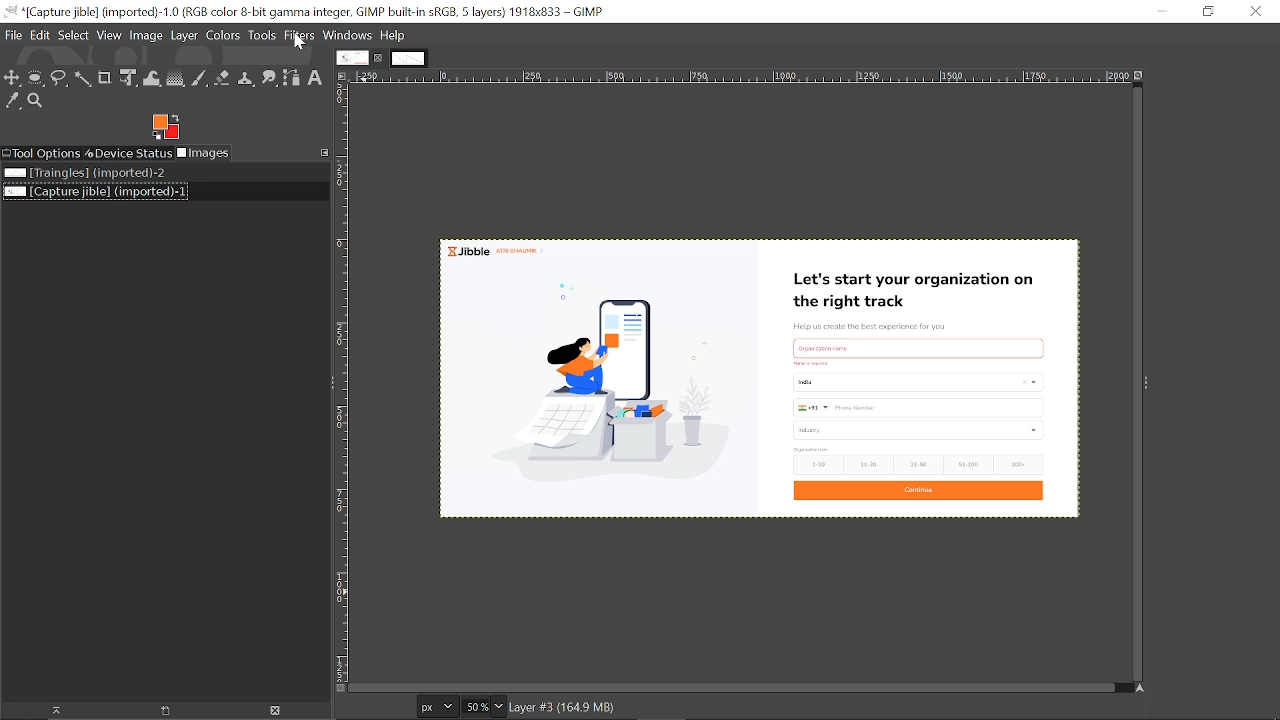  I want to click on View, so click(110, 36).